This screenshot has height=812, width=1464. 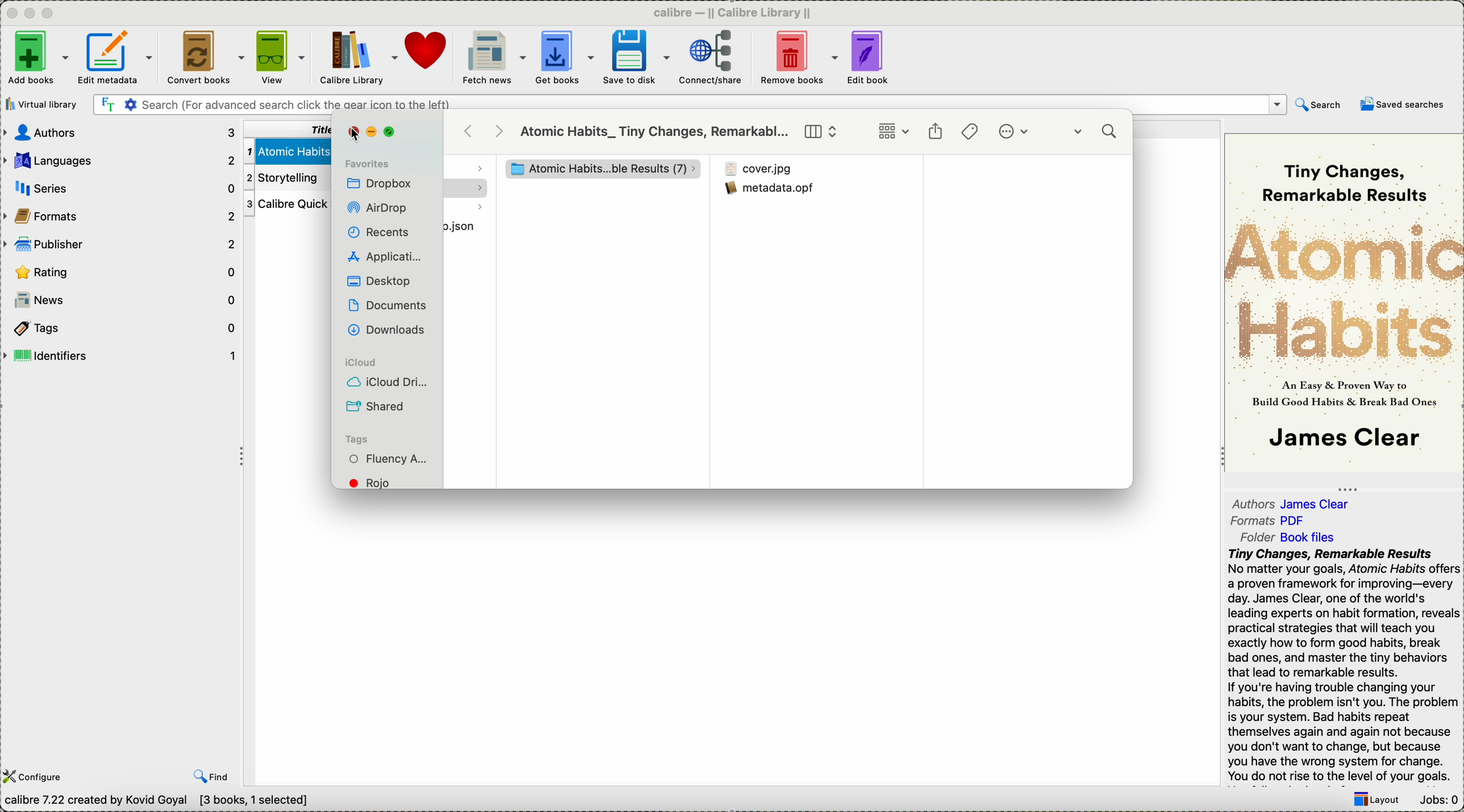 I want to click on red tag, so click(x=377, y=482).